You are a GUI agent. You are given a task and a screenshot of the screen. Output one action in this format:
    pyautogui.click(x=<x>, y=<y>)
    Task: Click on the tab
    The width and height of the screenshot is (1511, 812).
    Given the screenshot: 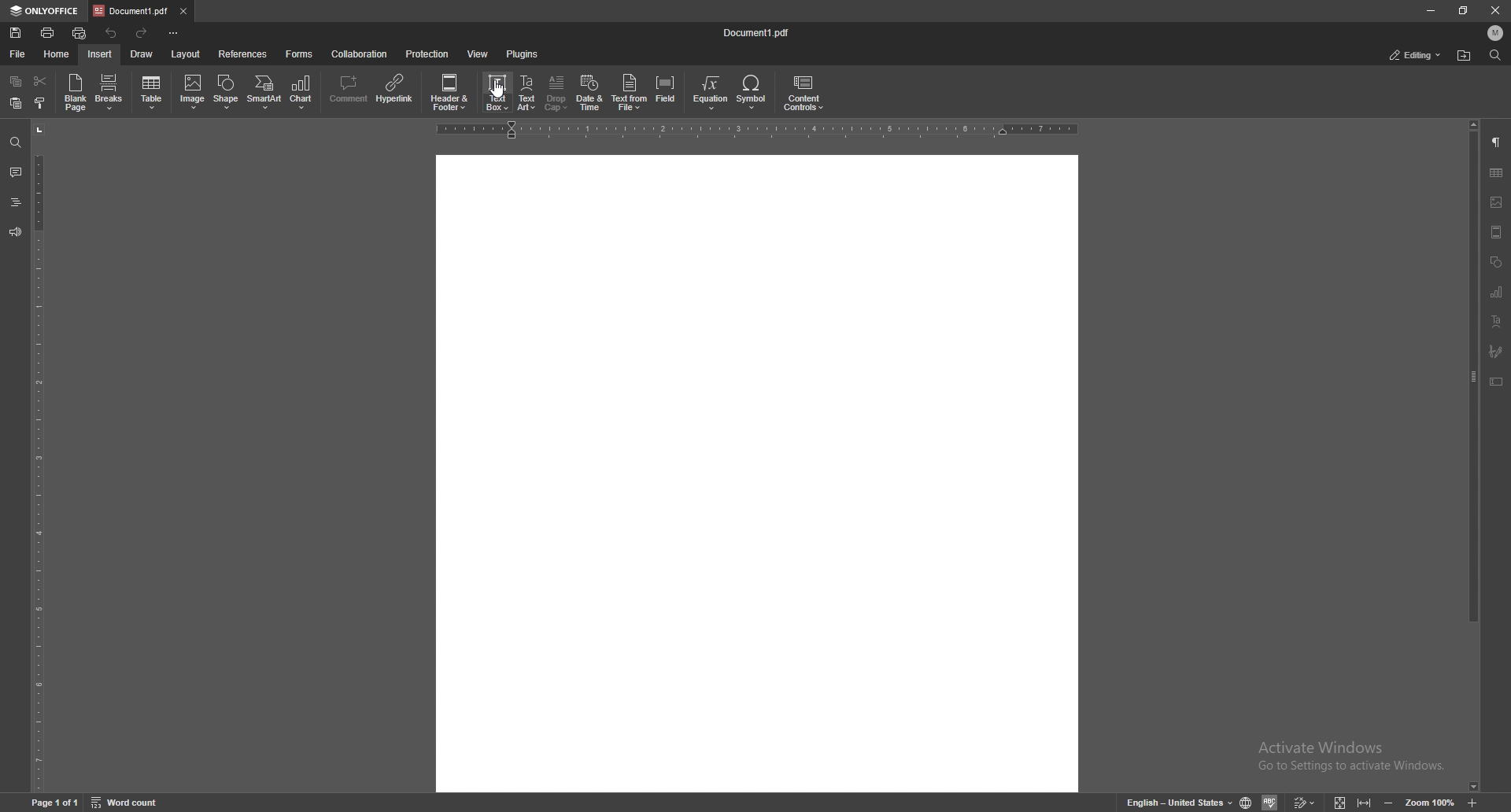 What is the action you would take?
    pyautogui.click(x=131, y=11)
    